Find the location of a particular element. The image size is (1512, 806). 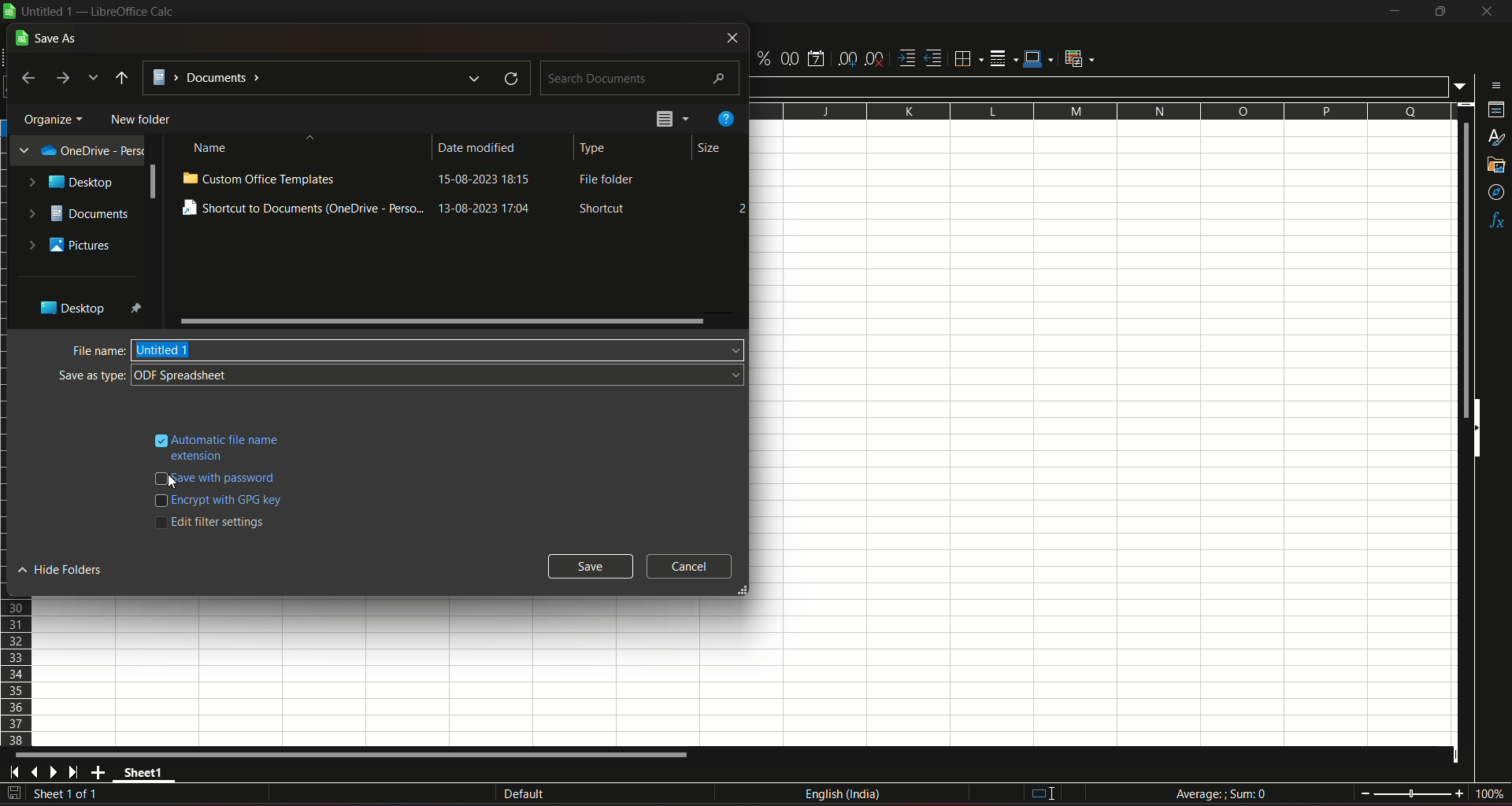

ll Shortcut to Documents (OneDrive - Perso.. is located at coordinates (302, 209).